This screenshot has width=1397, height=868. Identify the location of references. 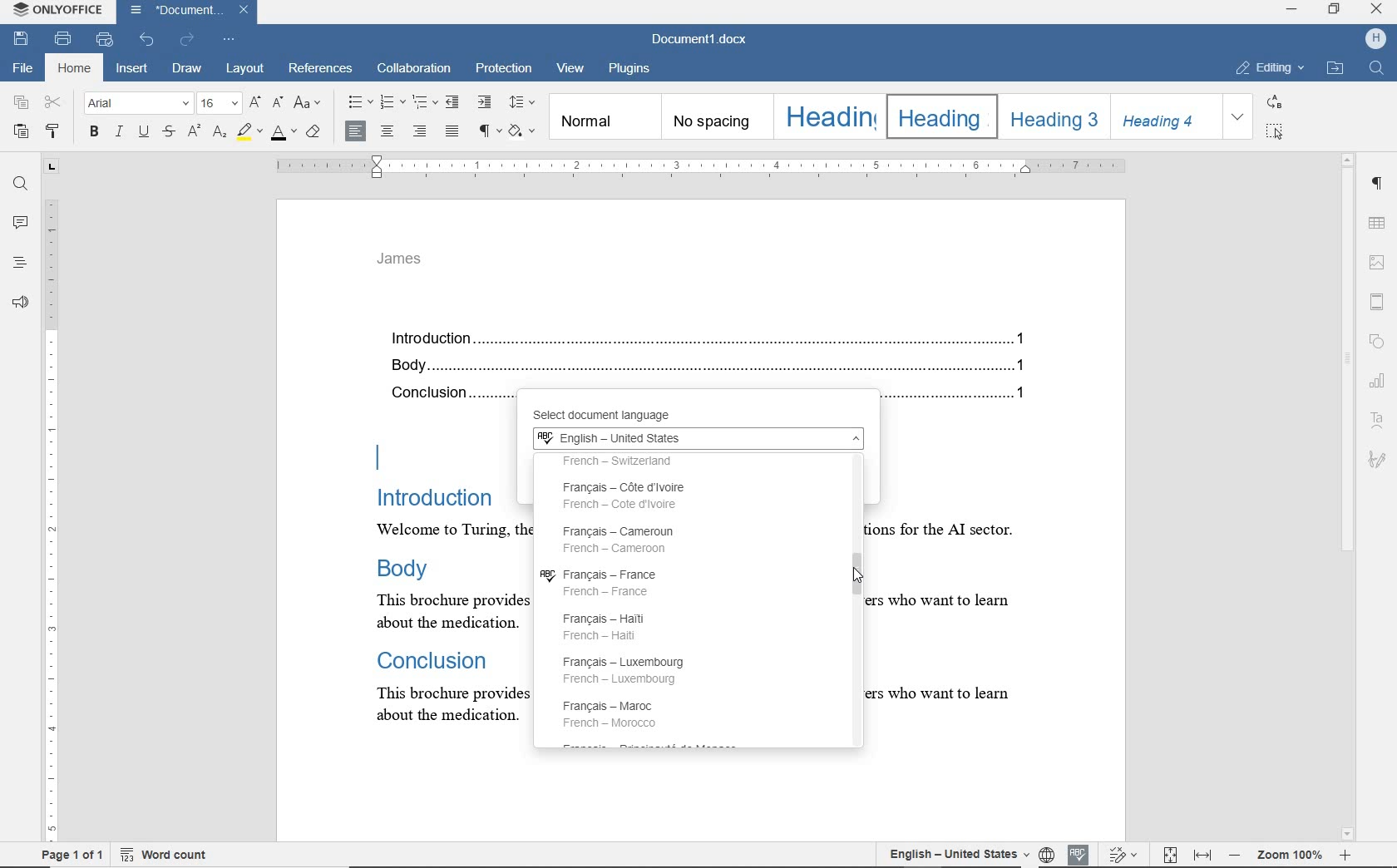
(322, 71).